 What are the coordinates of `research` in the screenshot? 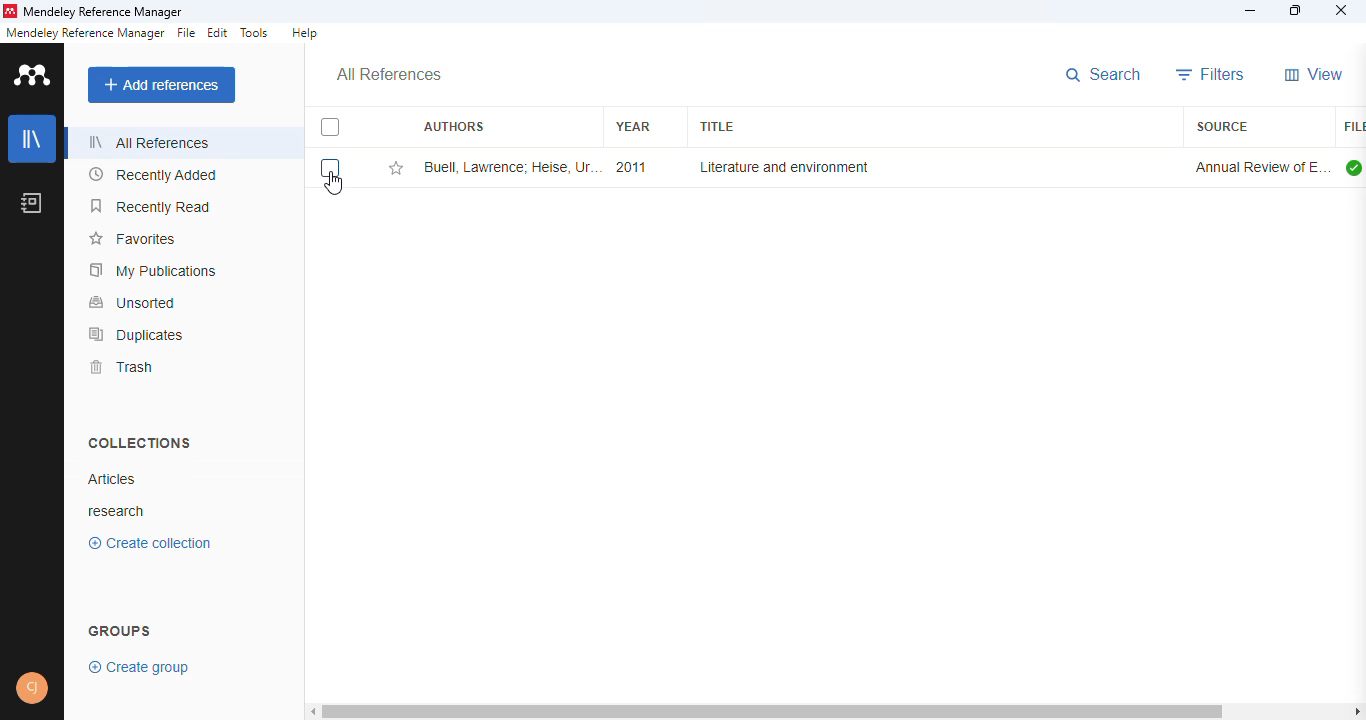 It's located at (121, 510).